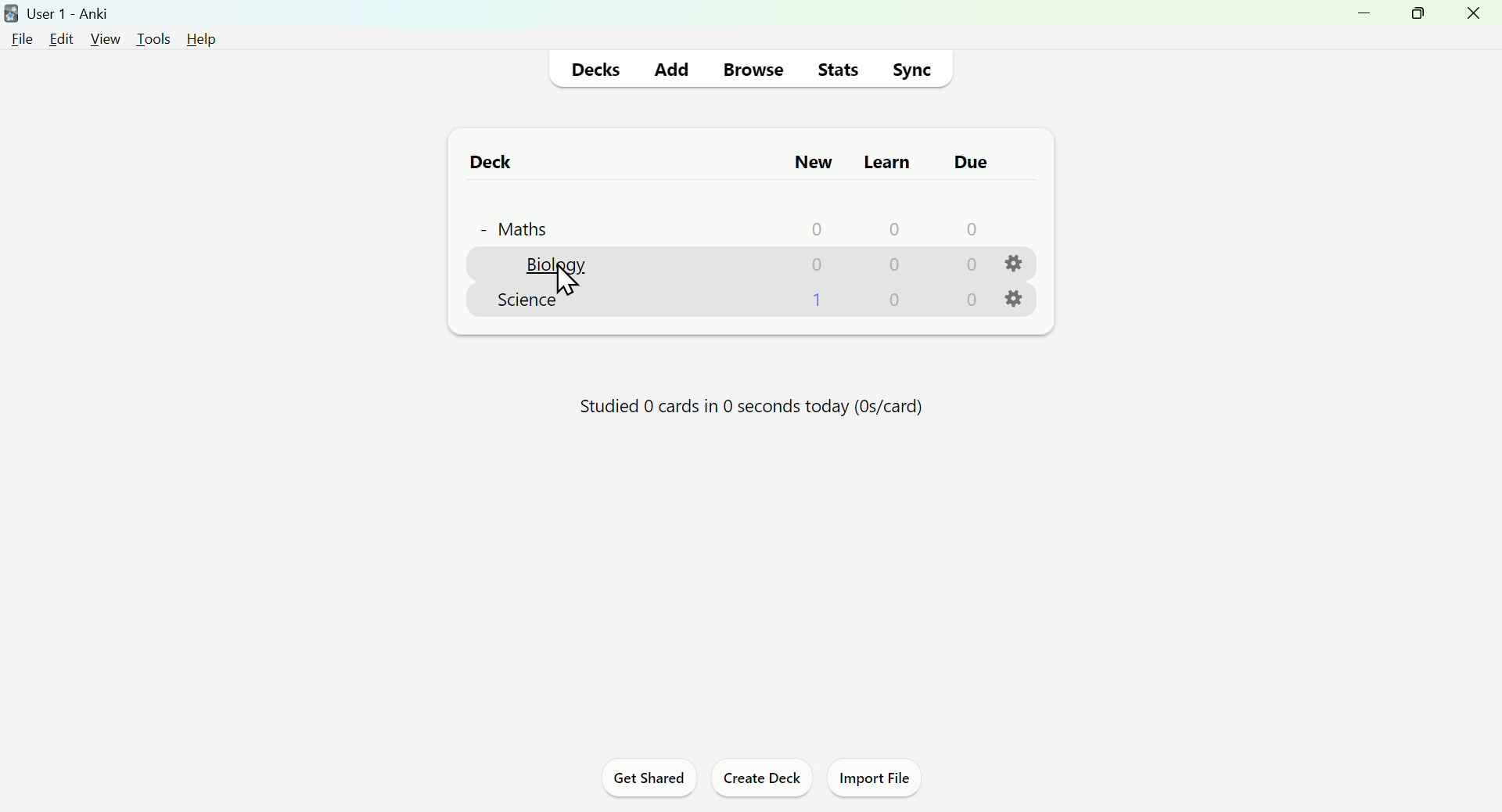  Describe the element at coordinates (490, 164) in the screenshot. I see `Deck` at that location.